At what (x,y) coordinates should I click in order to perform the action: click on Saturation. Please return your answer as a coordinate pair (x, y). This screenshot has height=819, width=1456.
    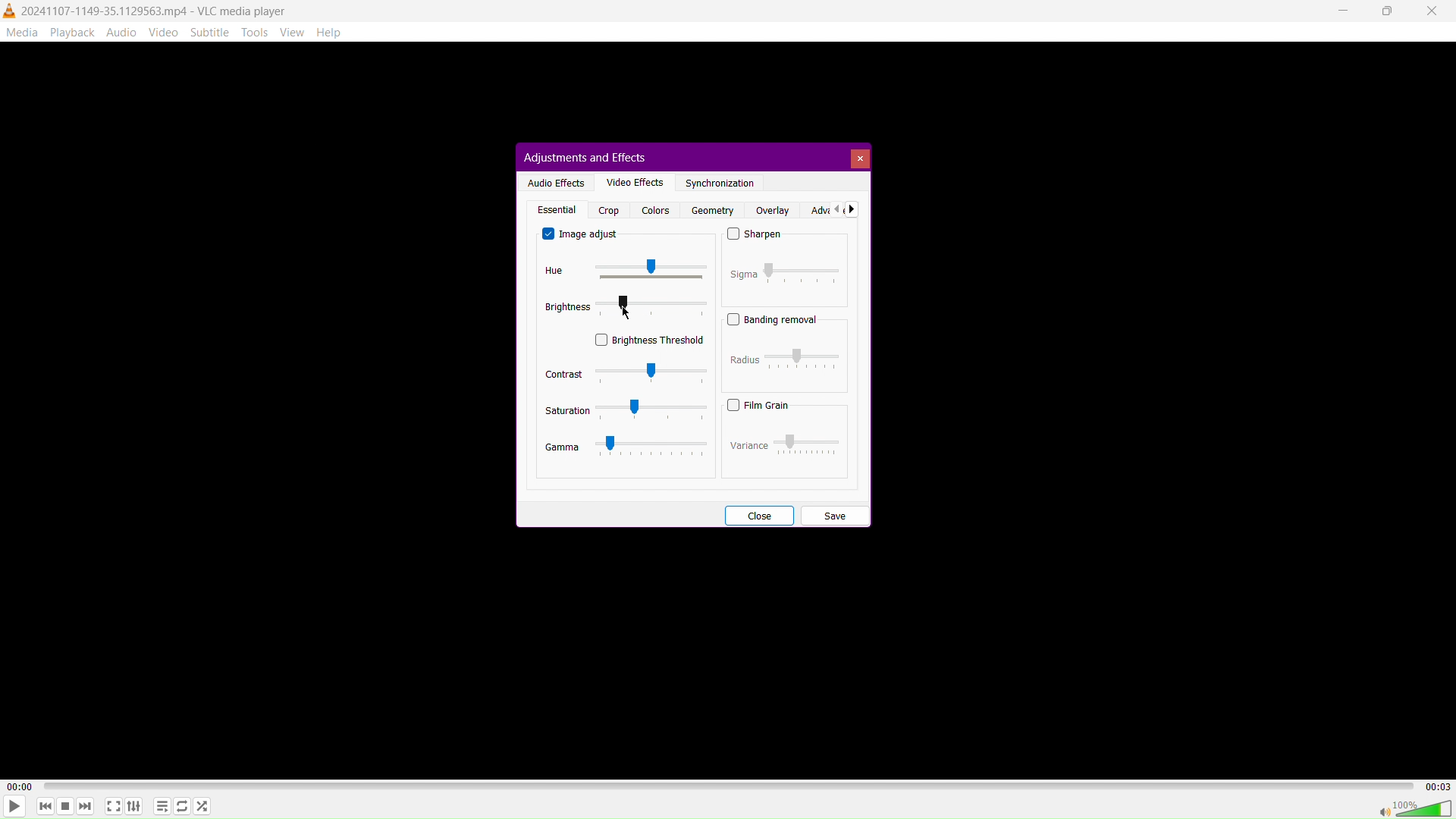
    Looking at the image, I should click on (626, 410).